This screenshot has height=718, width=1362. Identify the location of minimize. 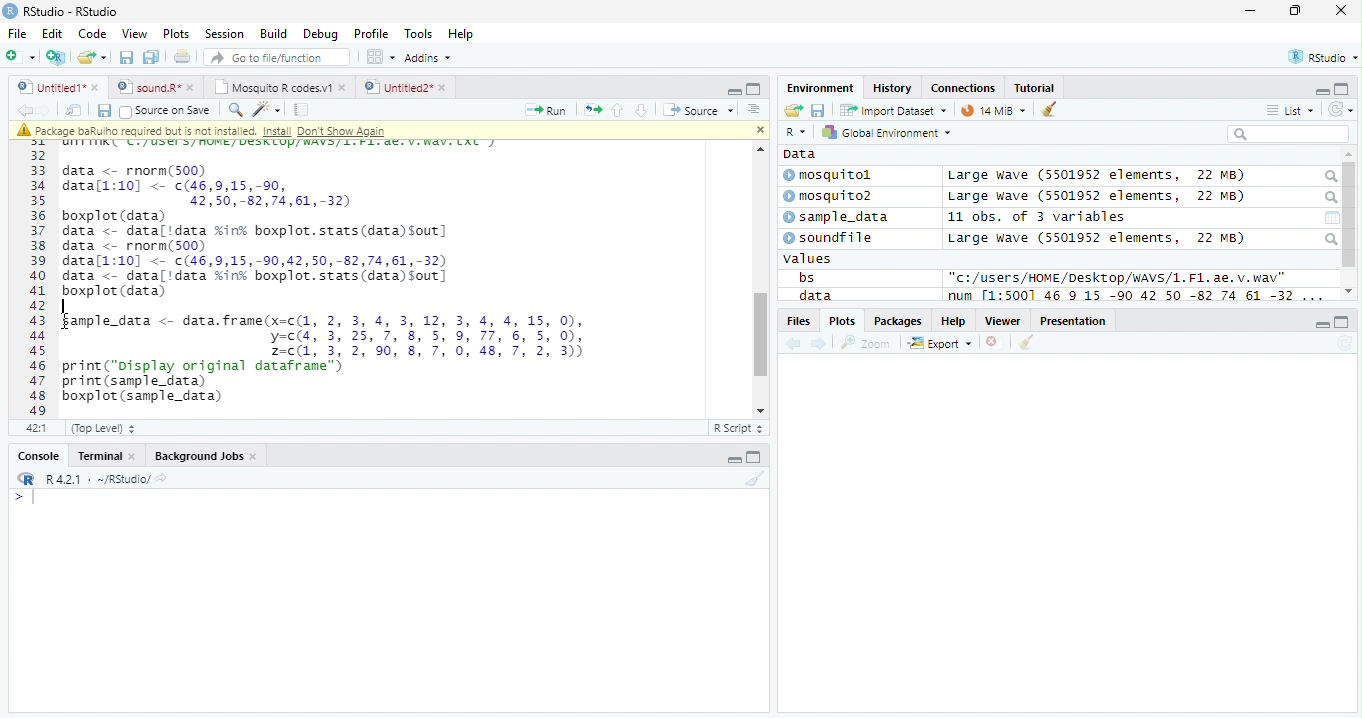
(1252, 10).